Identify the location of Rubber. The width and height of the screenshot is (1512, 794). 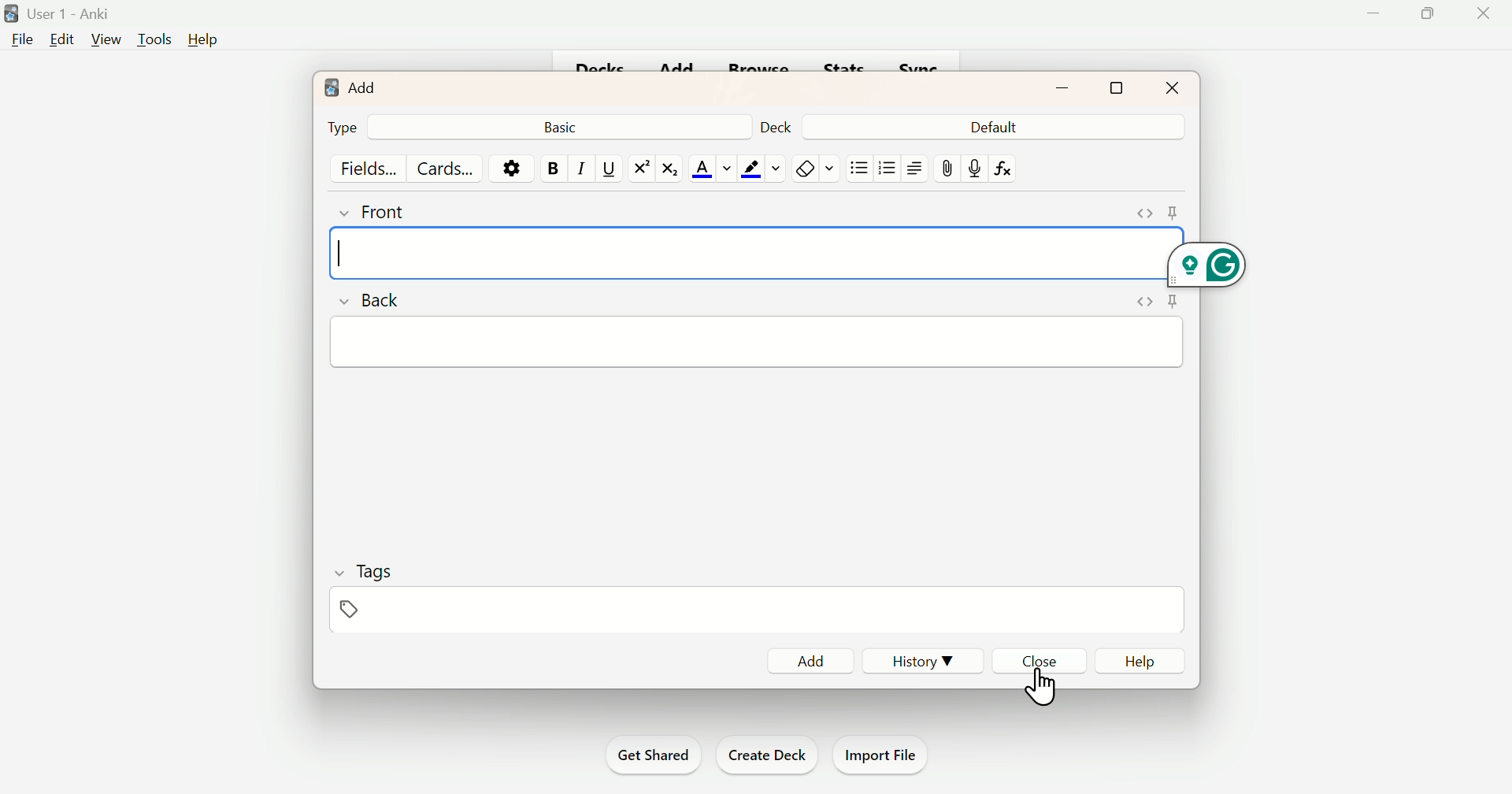
(816, 167).